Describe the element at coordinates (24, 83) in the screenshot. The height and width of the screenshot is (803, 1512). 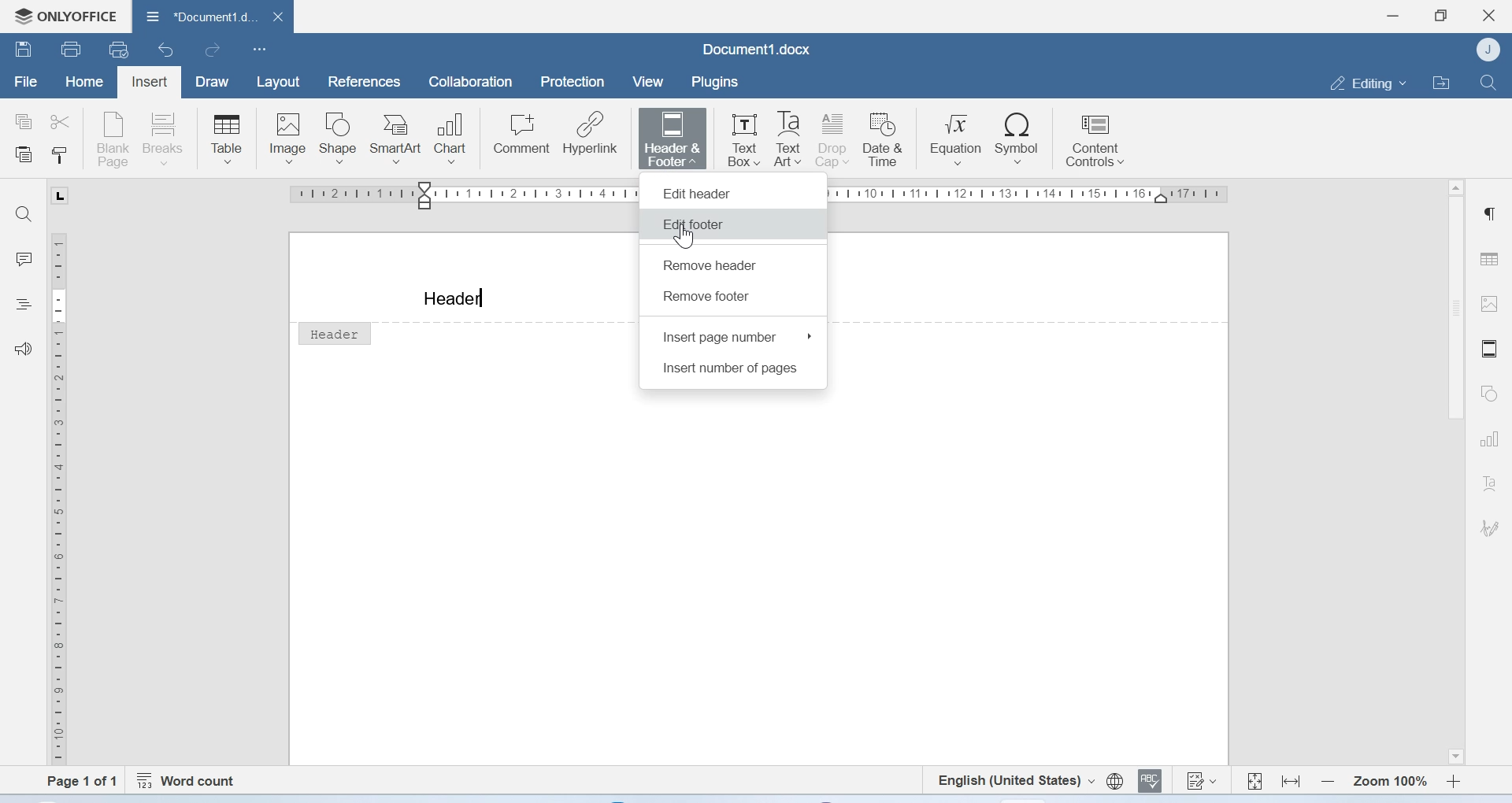
I see `File` at that location.